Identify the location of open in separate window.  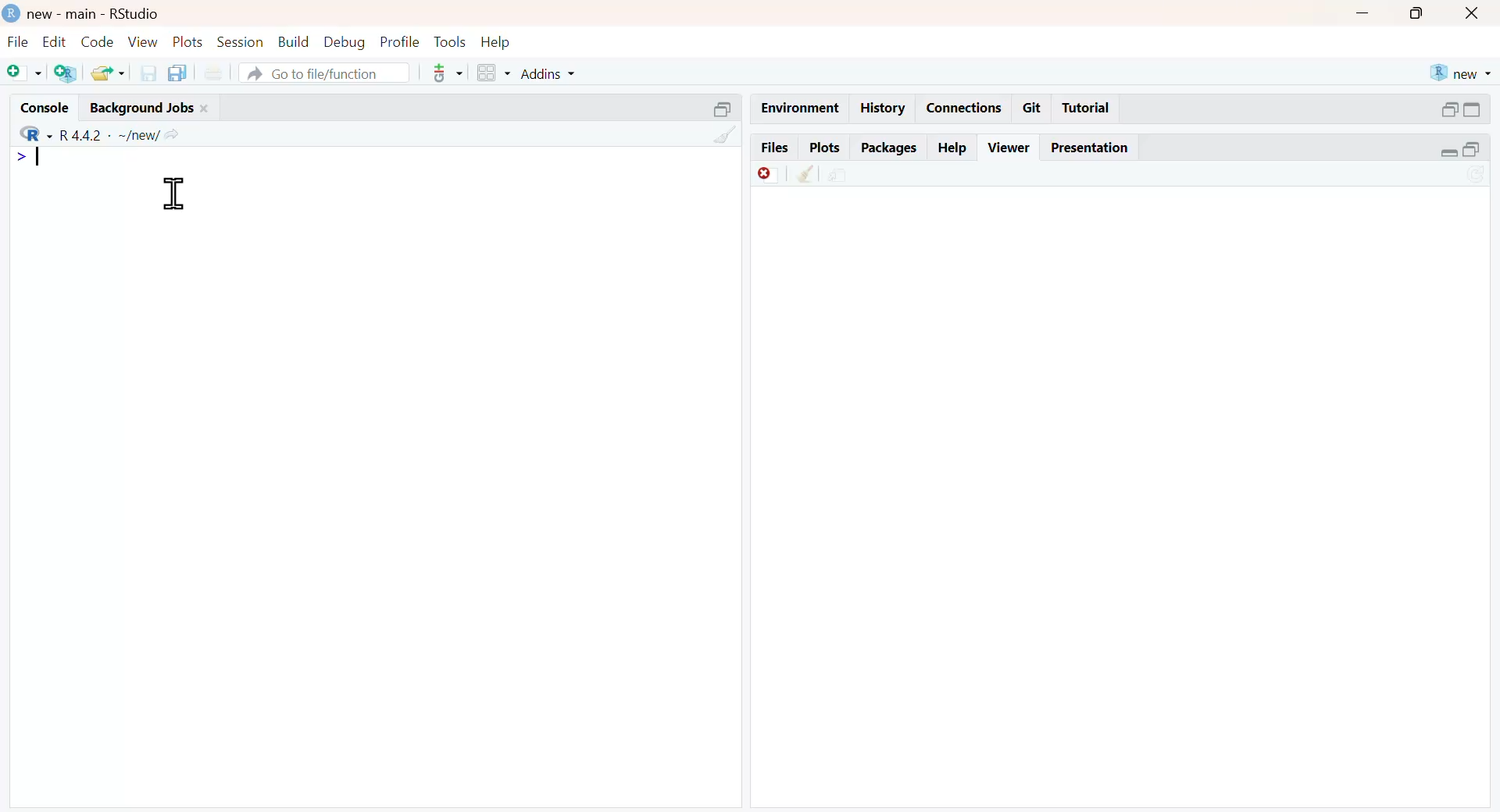
(724, 109).